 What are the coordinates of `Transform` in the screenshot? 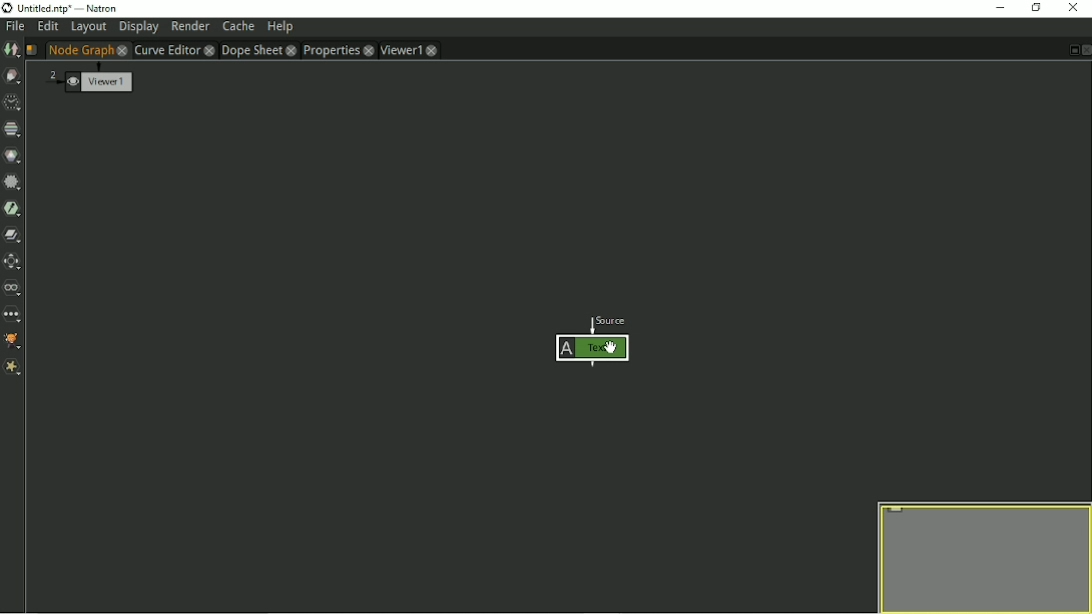 It's located at (14, 262).